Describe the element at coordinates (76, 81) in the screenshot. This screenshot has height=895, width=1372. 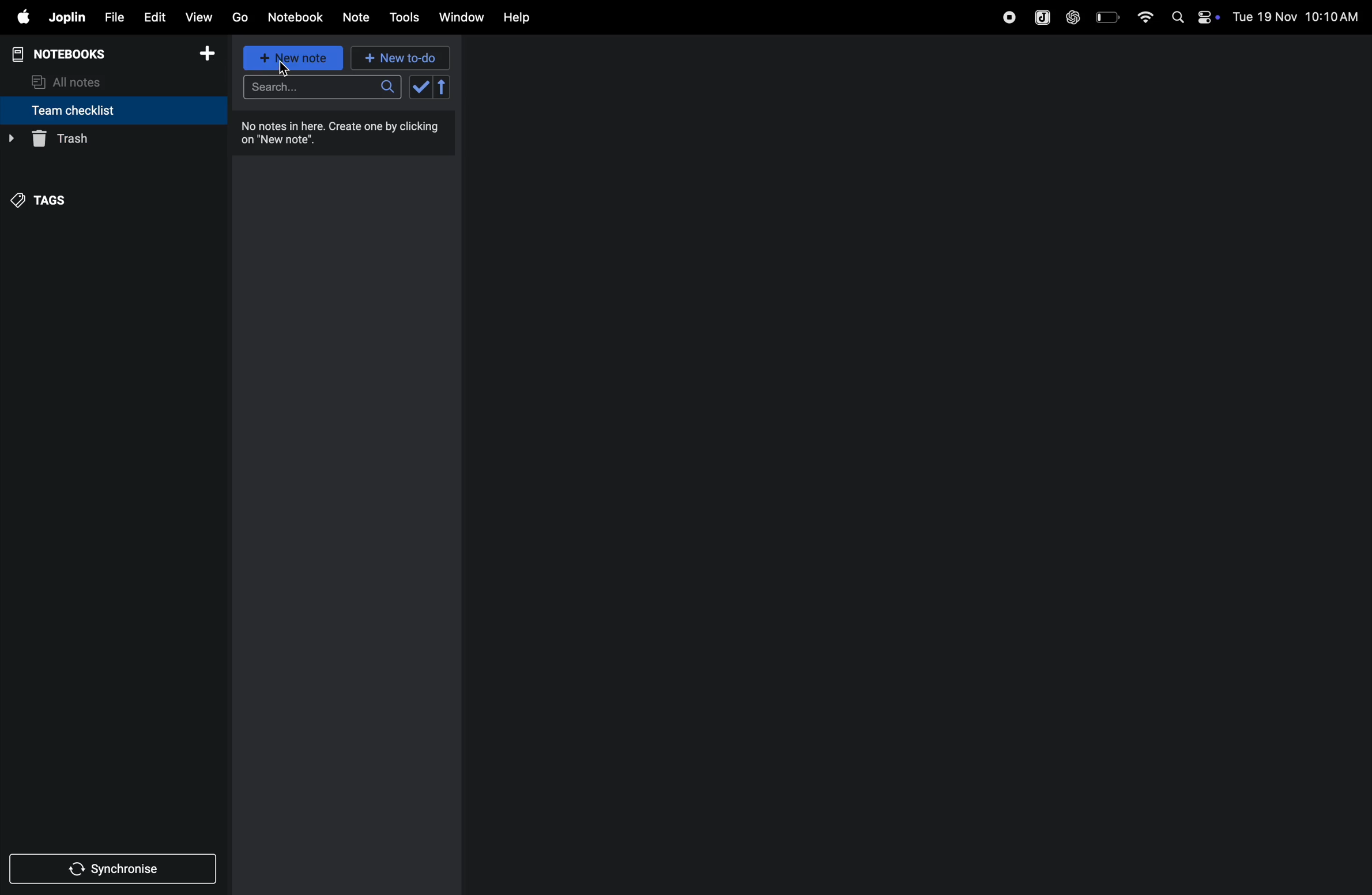
I see `all notes` at that location.